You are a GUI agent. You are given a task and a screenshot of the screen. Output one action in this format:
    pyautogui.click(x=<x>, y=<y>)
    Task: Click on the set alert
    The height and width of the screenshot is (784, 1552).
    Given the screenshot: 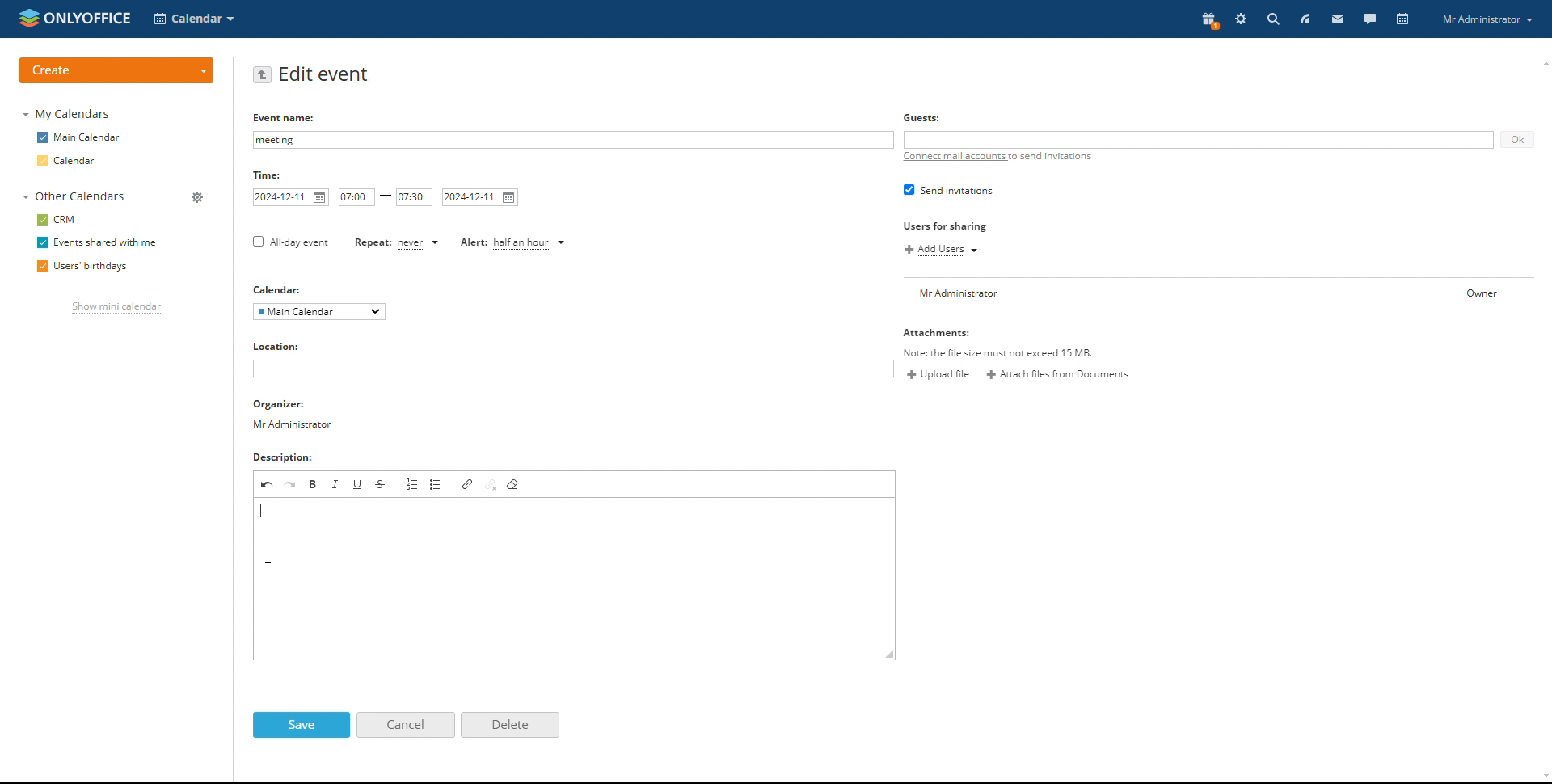 What is the action you would take?
    pyautogui.click(x=532, y=243)
    